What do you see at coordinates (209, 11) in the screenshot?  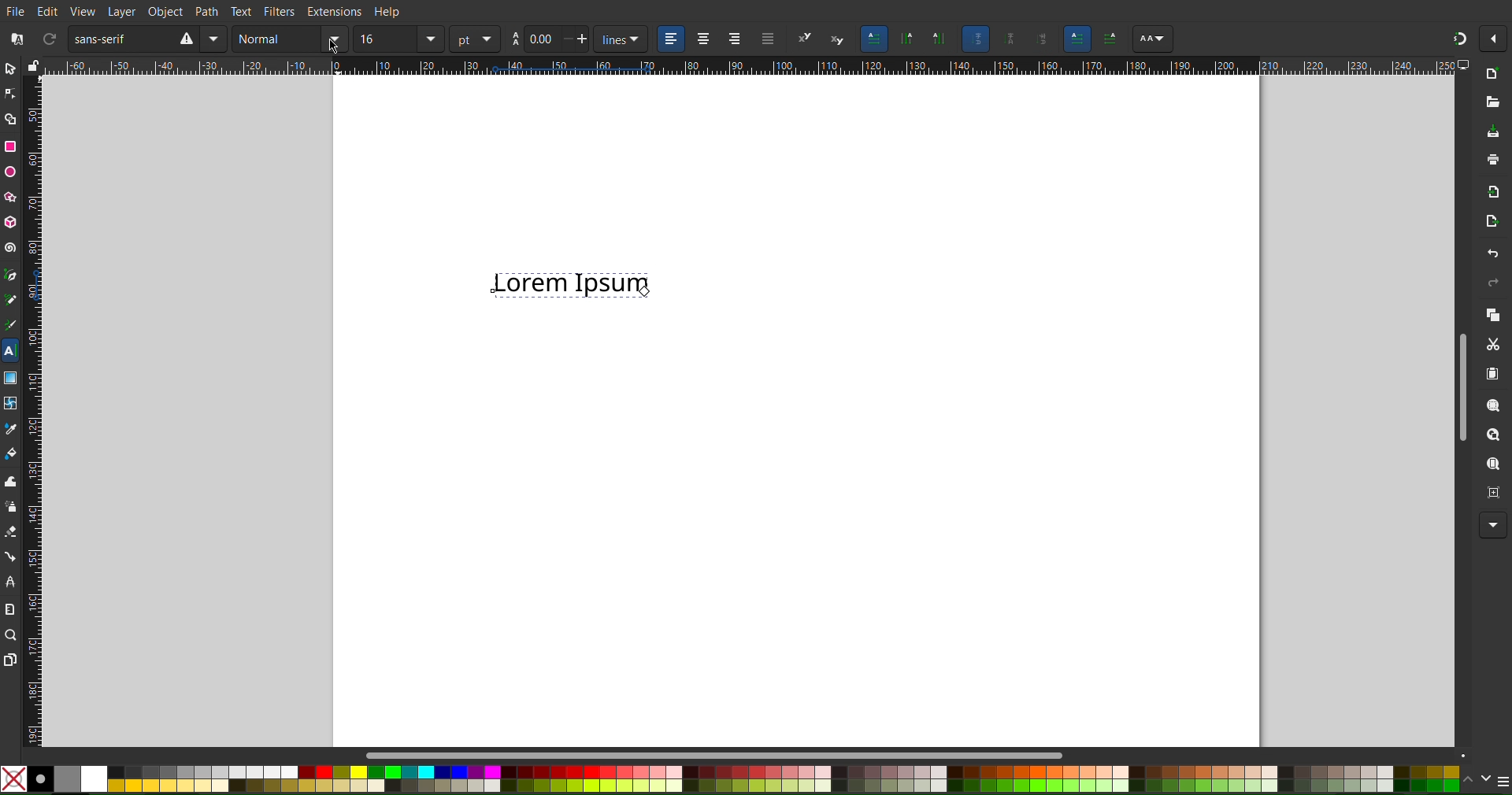 I see `Path` at bounding box center [209, 11].